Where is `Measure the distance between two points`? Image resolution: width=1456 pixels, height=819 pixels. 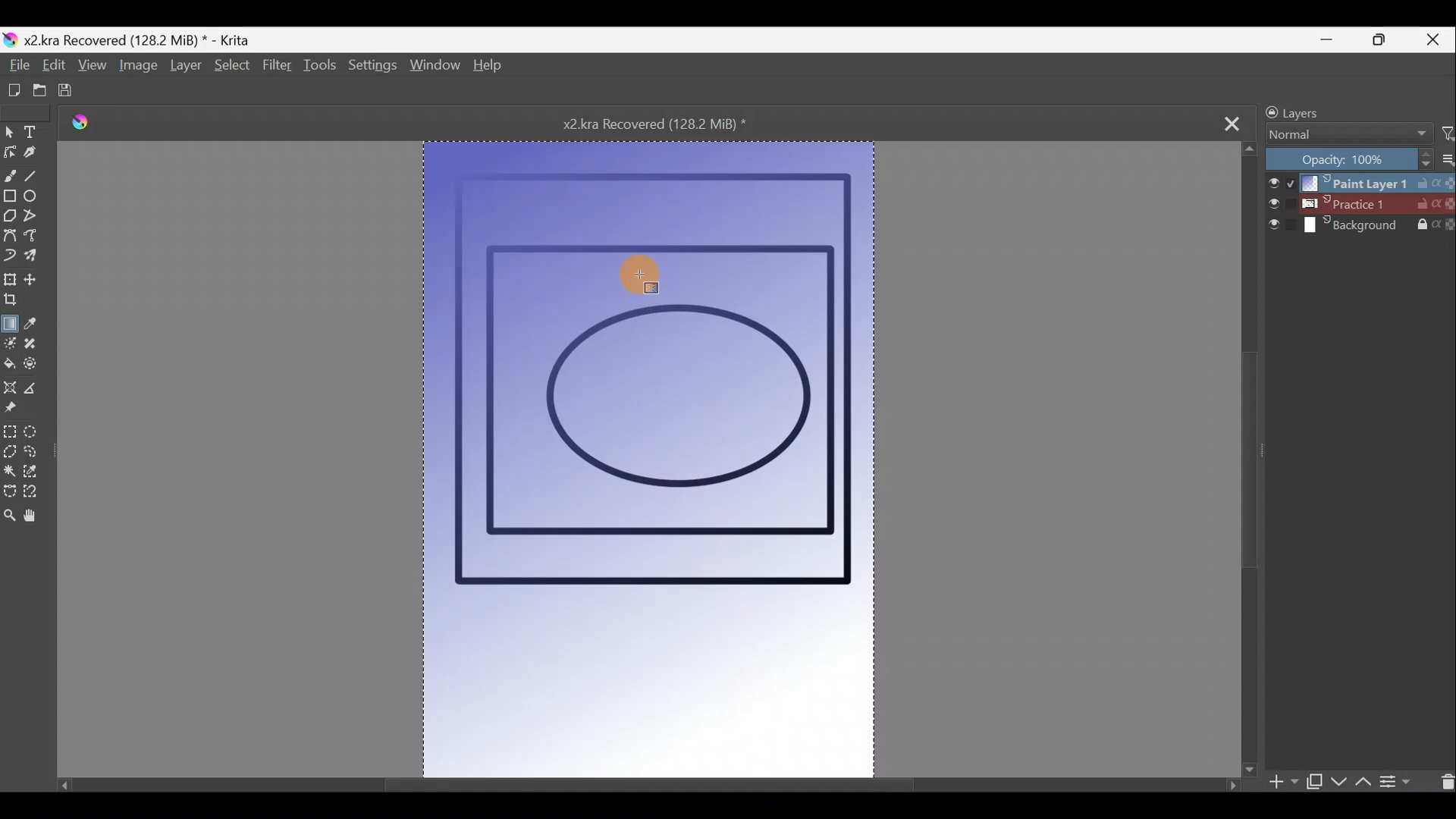 Measure the distance between two points is located at coordinates (37, 393).